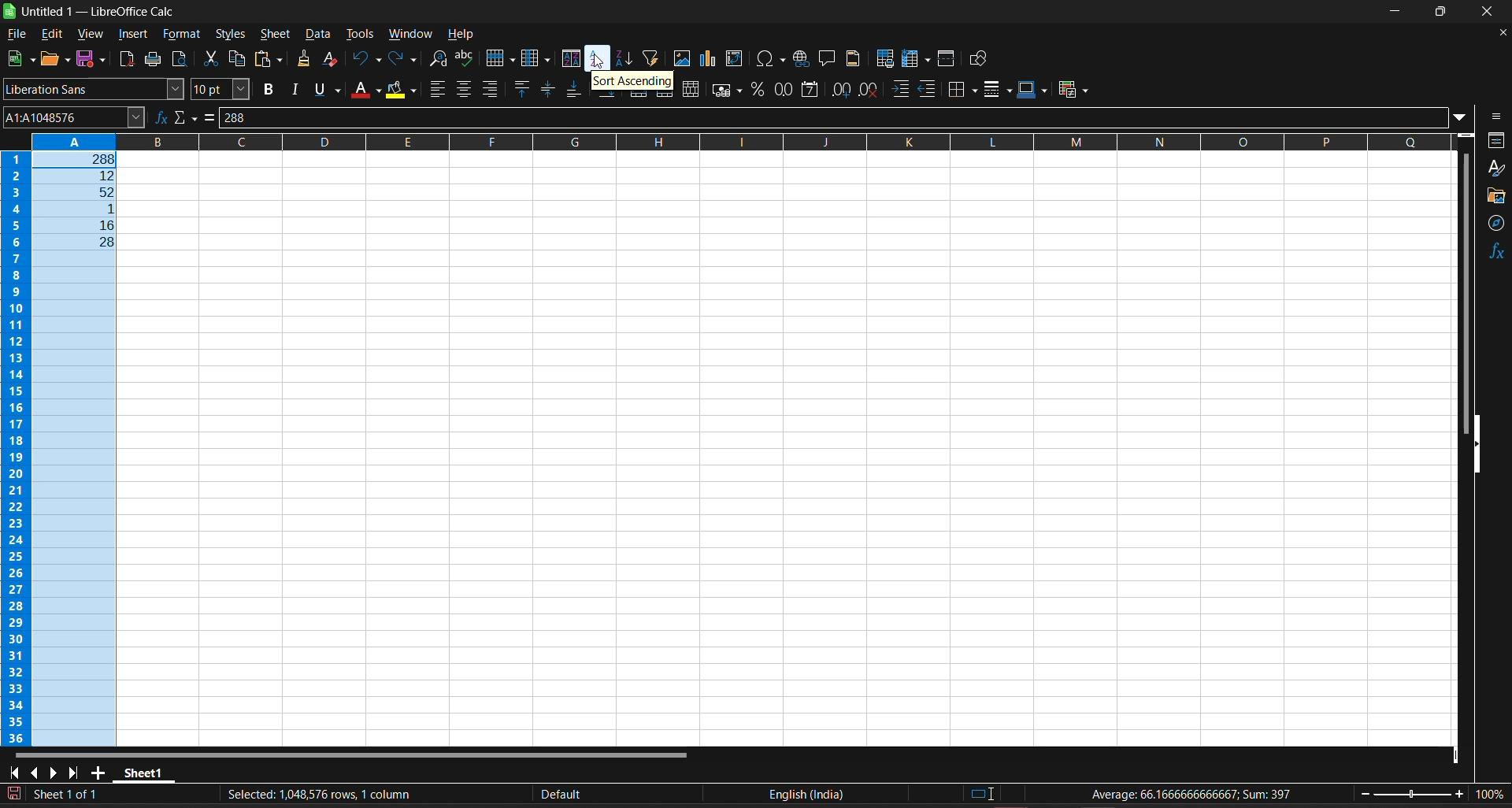 The height and width of the screenshot is (808, 1512). I want to click on sheet name, so click(145, 771).